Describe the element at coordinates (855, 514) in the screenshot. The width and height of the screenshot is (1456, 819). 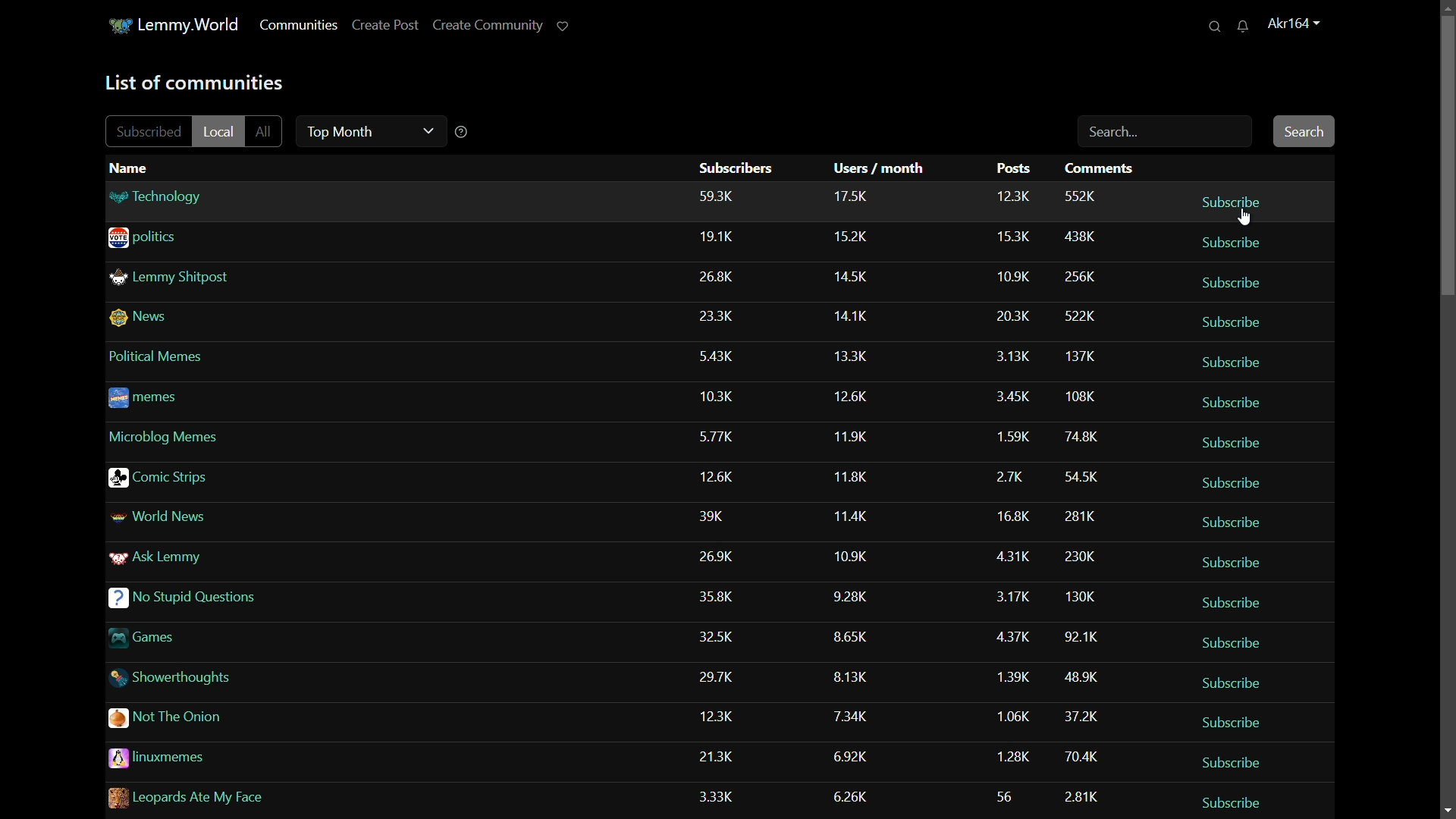
I see `user per month` at that location.